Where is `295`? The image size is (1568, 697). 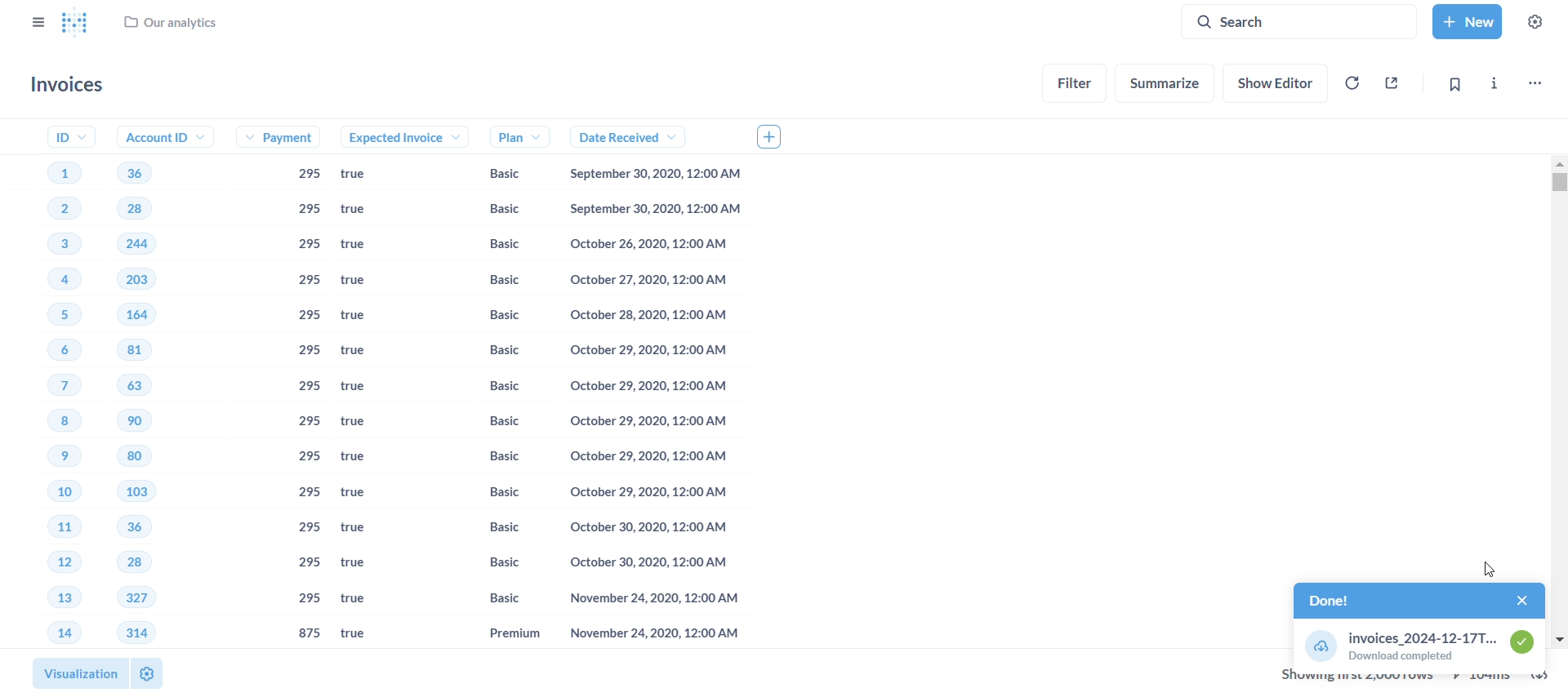 295 is located at coordinates (311, 421).